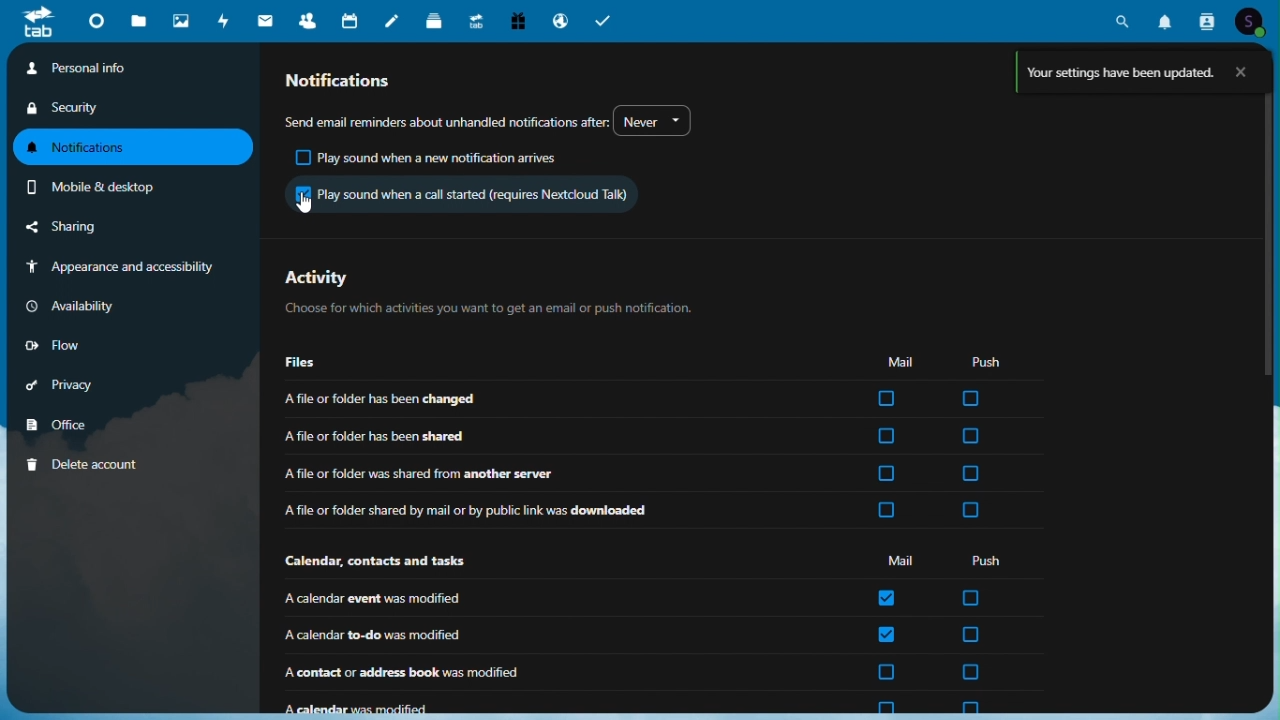 This screenshot has width=1280, height=720. What do you see at coordinates (309, 18) in the screenshot?
I see `Contacts` at bounding box center [309, 18].